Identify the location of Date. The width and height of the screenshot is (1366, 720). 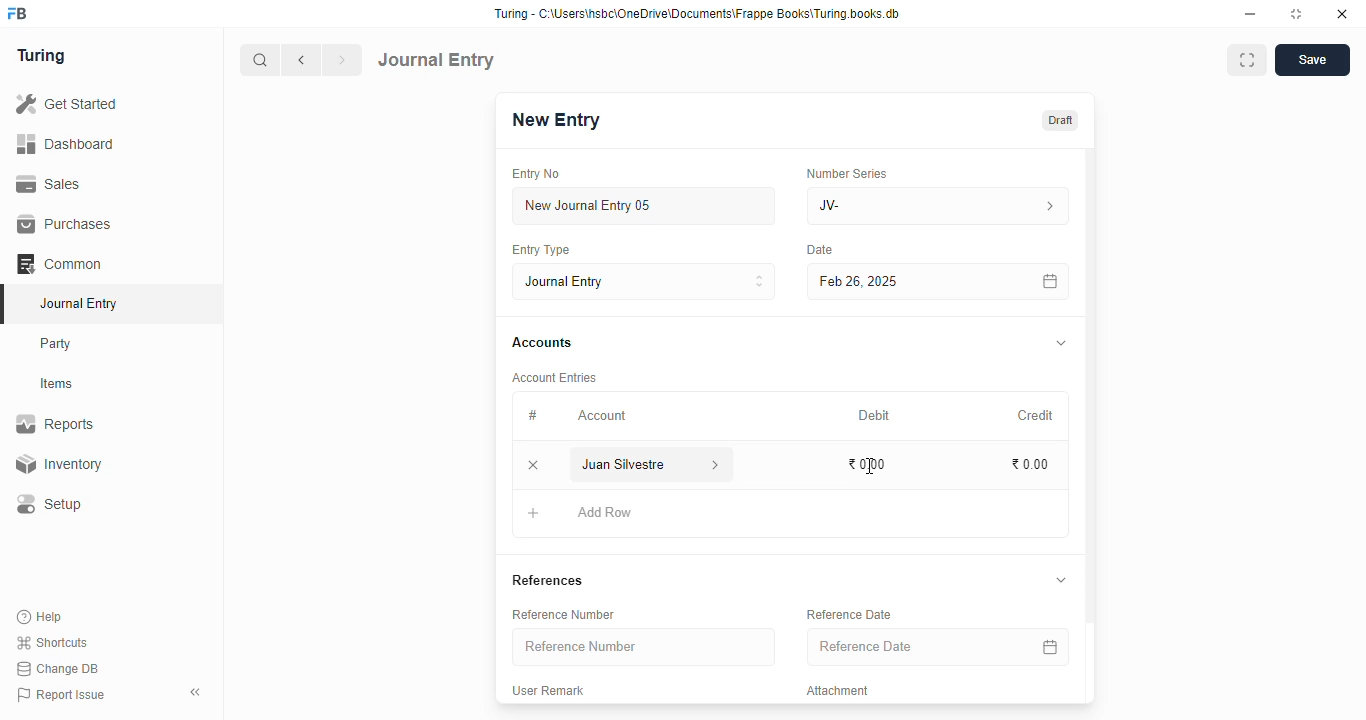
(821, 250).